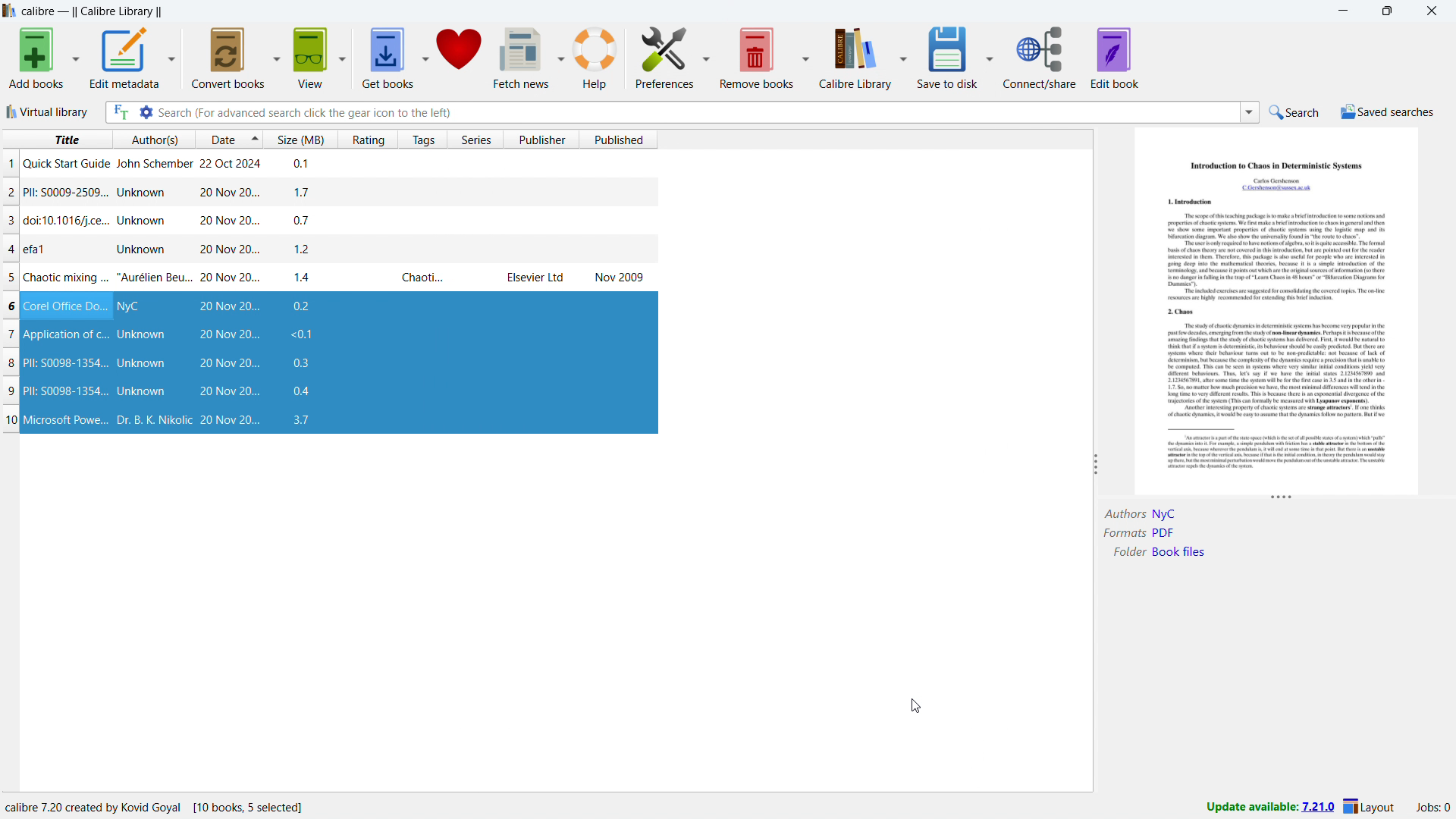 The image size is (1456, 819). What do you see at coordinates (904, 55) in the screenshot?
I see `calibre library options` at bounding box center [904, 55].